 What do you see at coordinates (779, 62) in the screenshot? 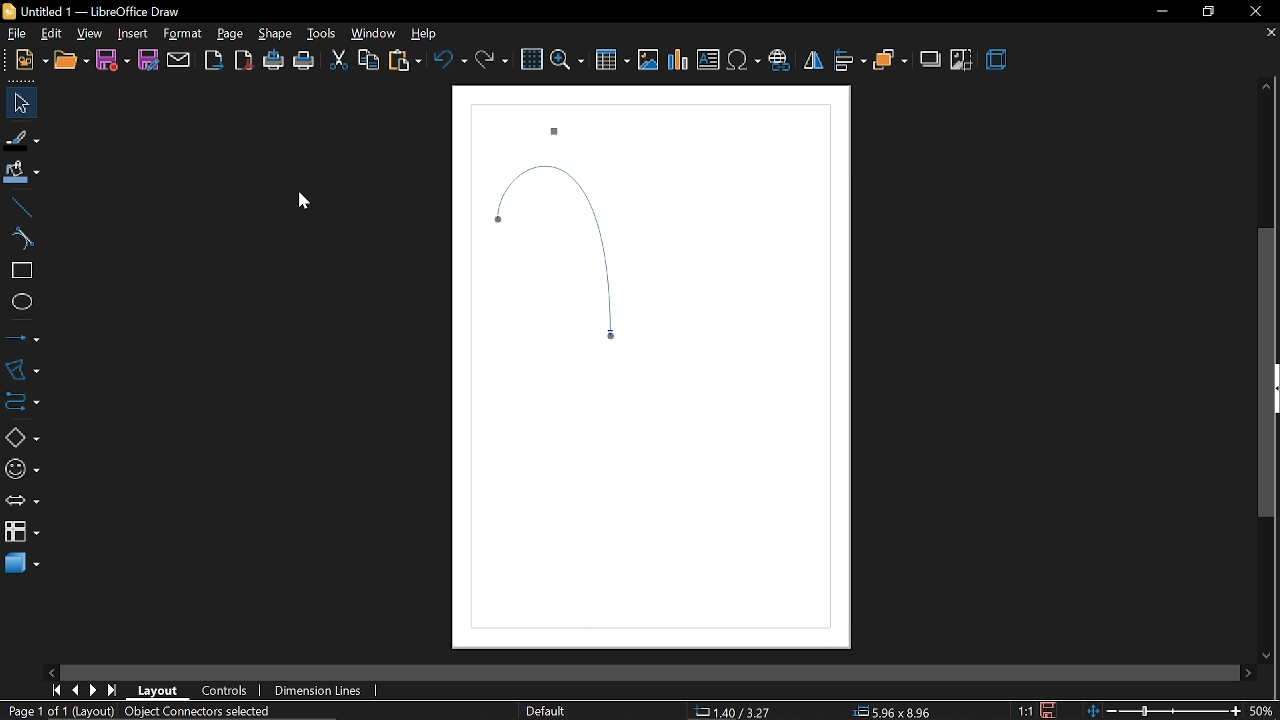
I see `Insert hyperlink` at bounding box center [779, 62].